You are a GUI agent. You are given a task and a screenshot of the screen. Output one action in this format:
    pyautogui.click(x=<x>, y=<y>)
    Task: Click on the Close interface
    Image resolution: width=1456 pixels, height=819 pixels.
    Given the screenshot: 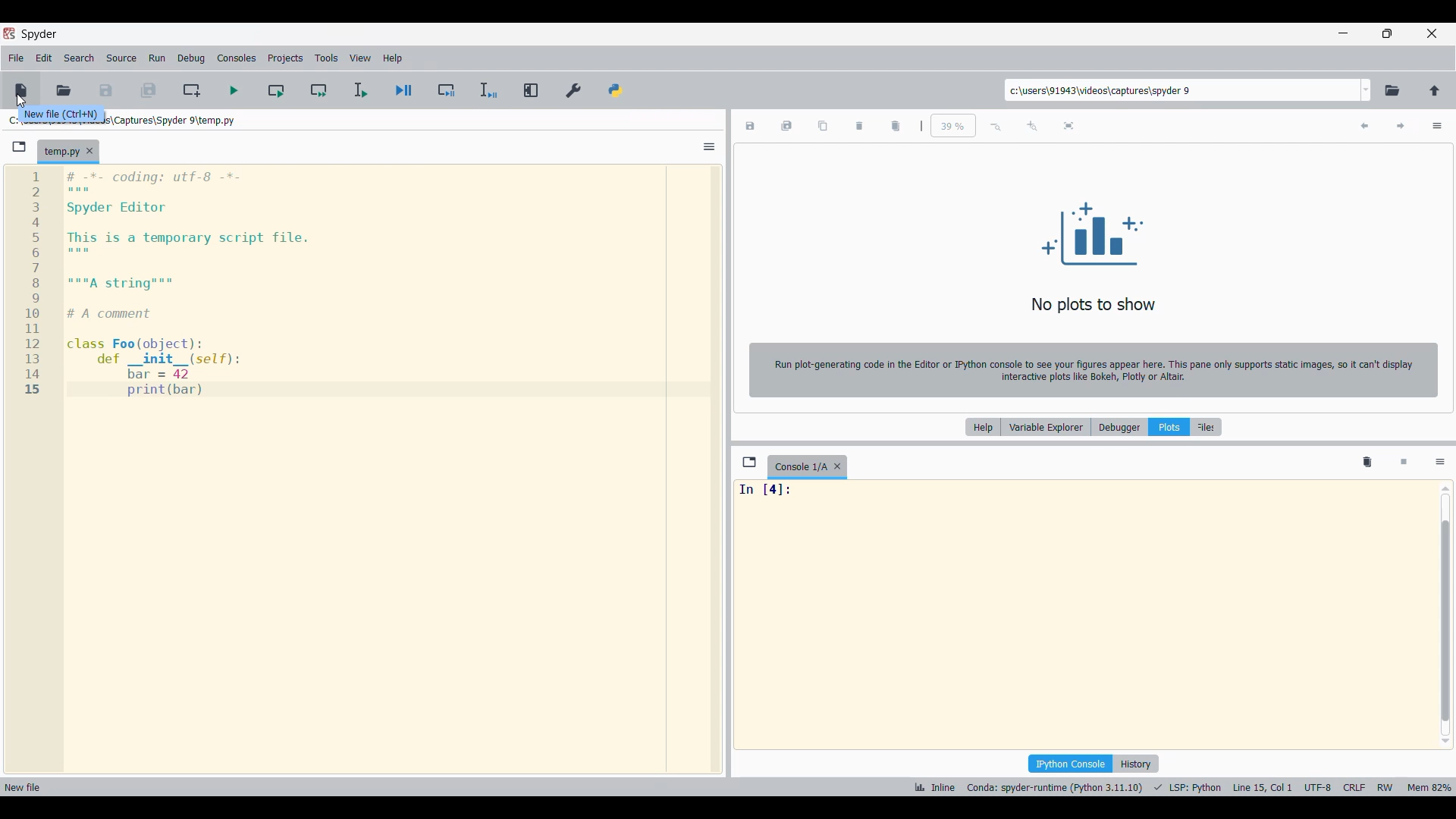 What is the action you would take?
    pyautogui.click(x=1432, y=33)
    